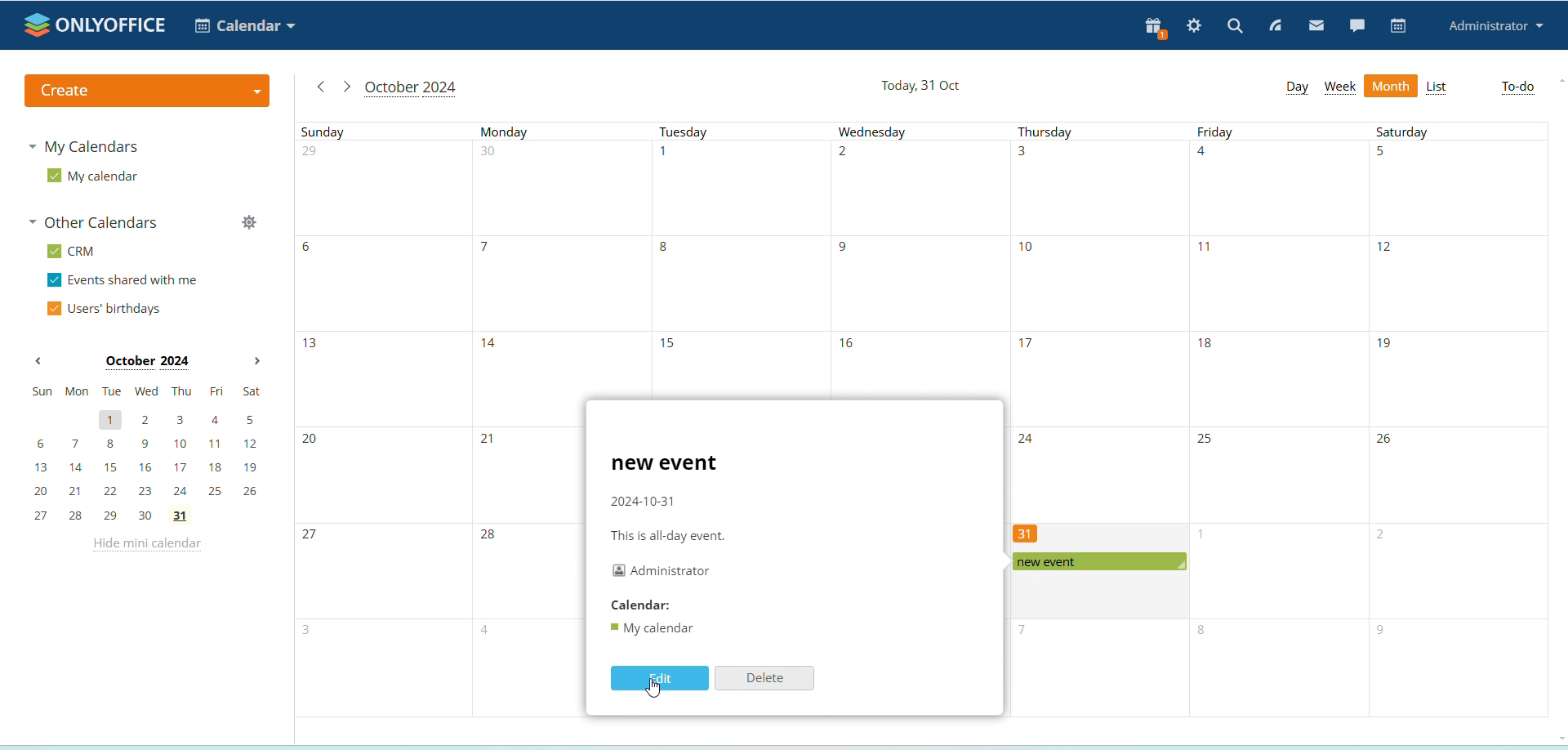  What do you see at coordinates (1096, 669) in the screenshot?
I see `Thursday 7th november` at bounding box center [1096, 669].